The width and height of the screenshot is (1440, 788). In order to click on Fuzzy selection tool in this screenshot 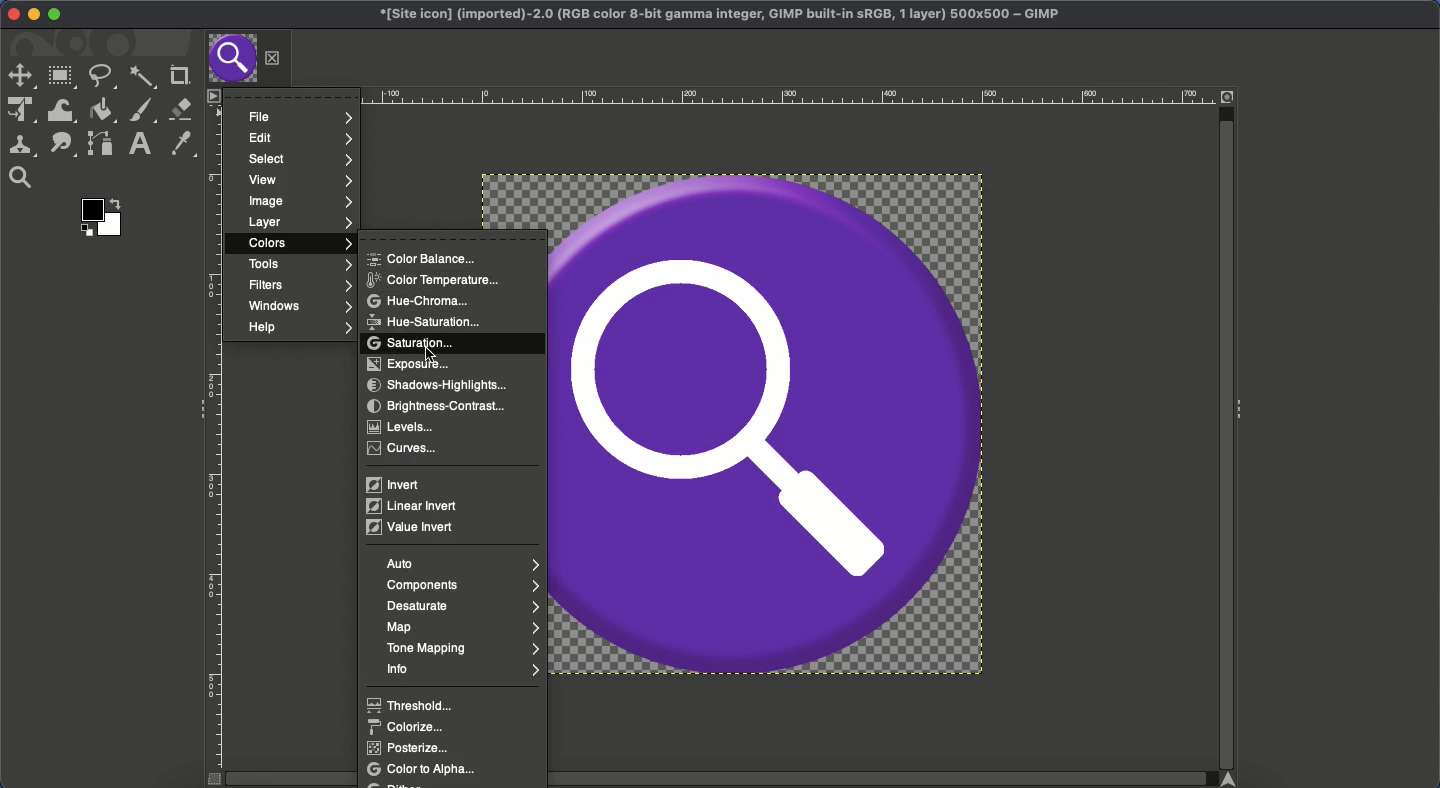, I will do `click(143, 79)`.